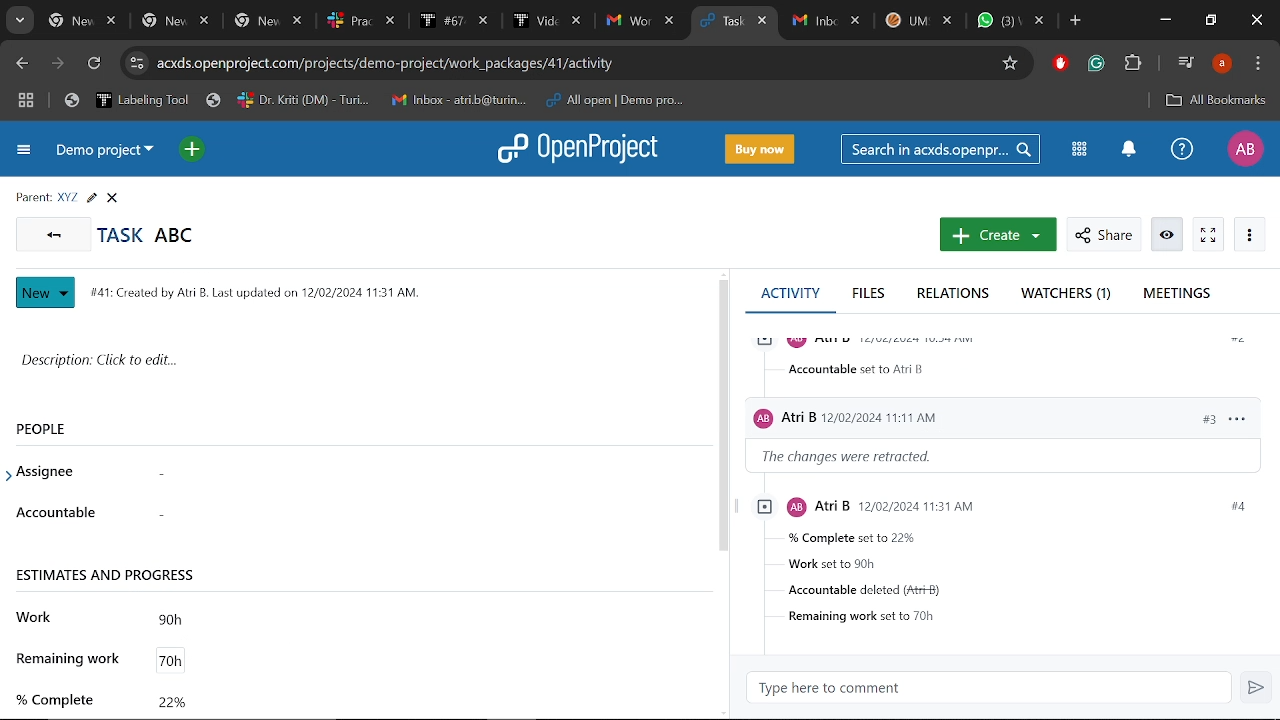 The height and width of the screenshot is (720, 1280). What do you see at coordinates (22, 22) in the screenshot?
I see `Search tabs` at bounding box center [22, 22].